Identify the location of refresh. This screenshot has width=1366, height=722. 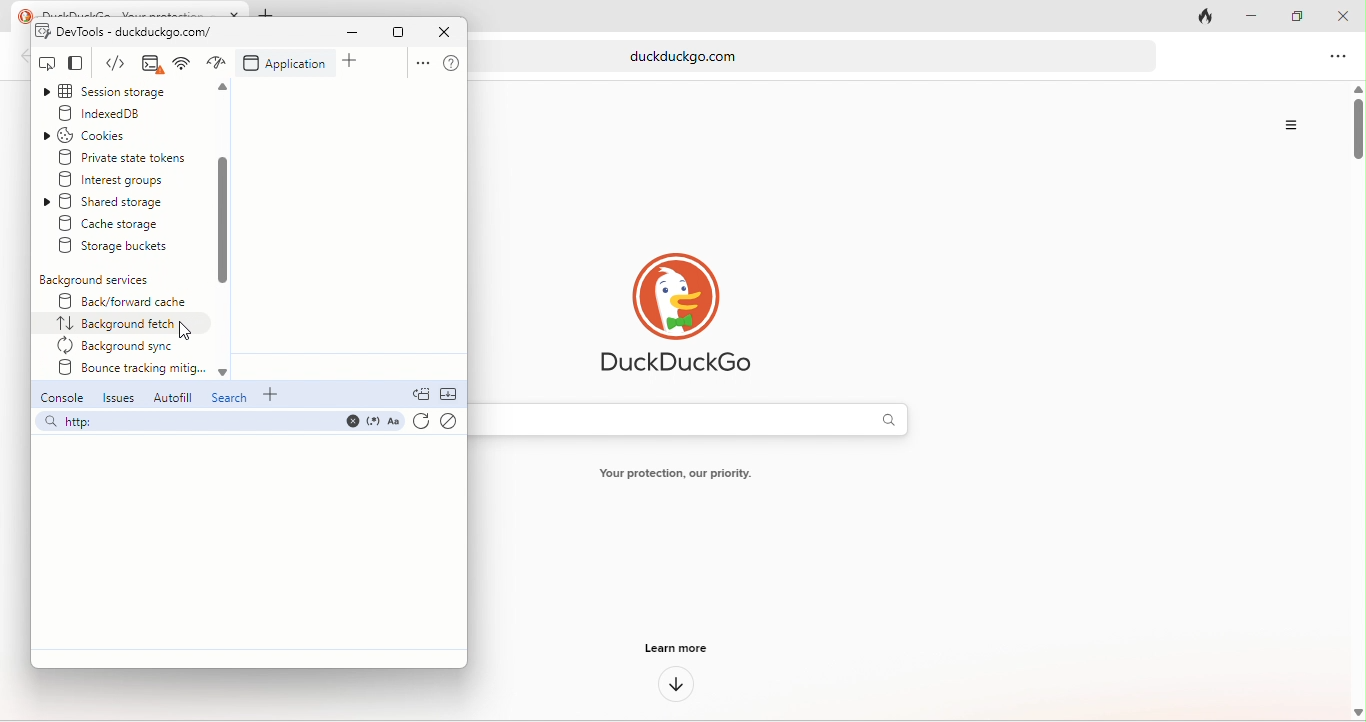
(421, 424).